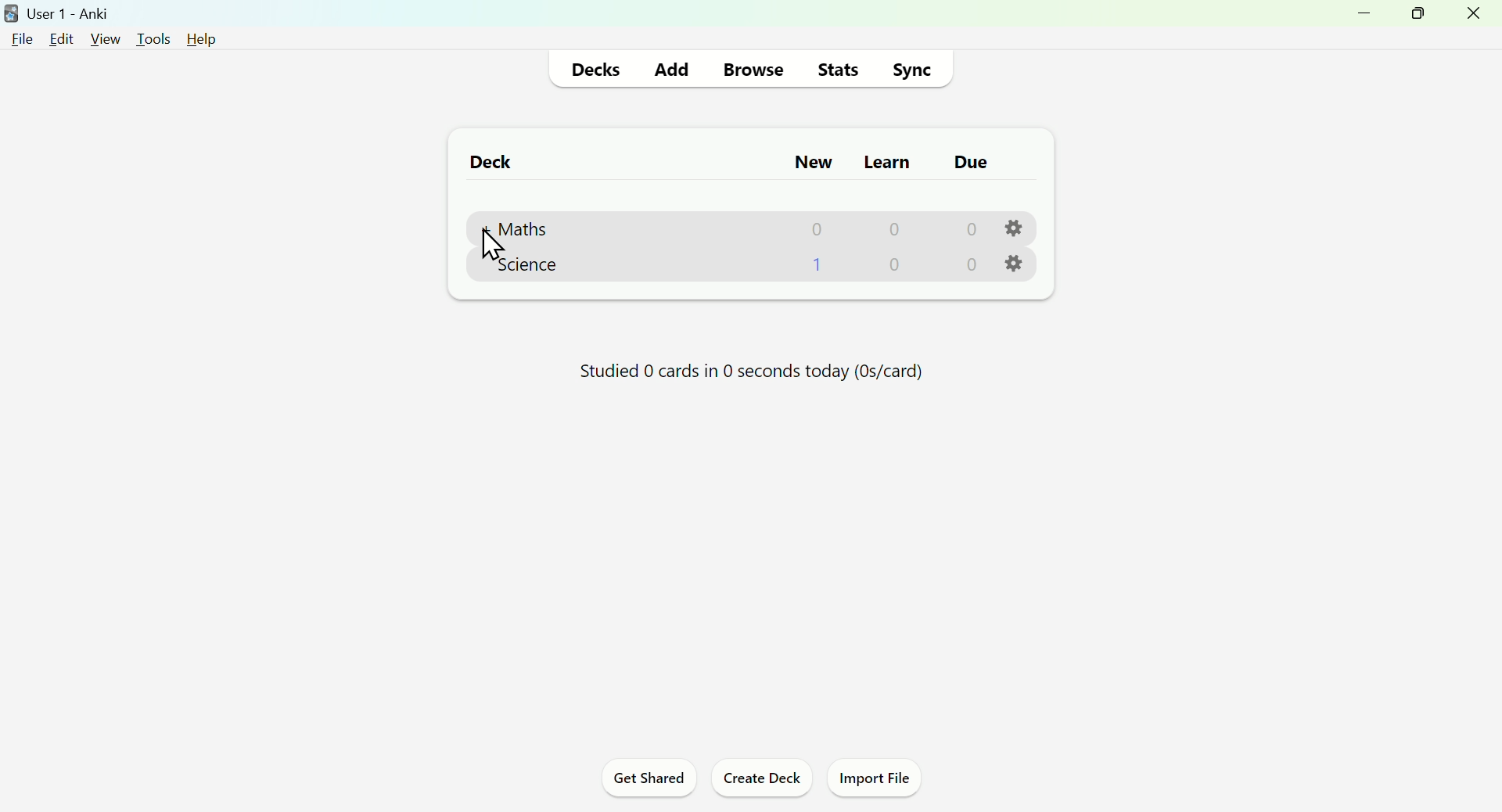 The width and height of the screenshot is (1502, 812). I want to click on Sync, so click(916, 67).